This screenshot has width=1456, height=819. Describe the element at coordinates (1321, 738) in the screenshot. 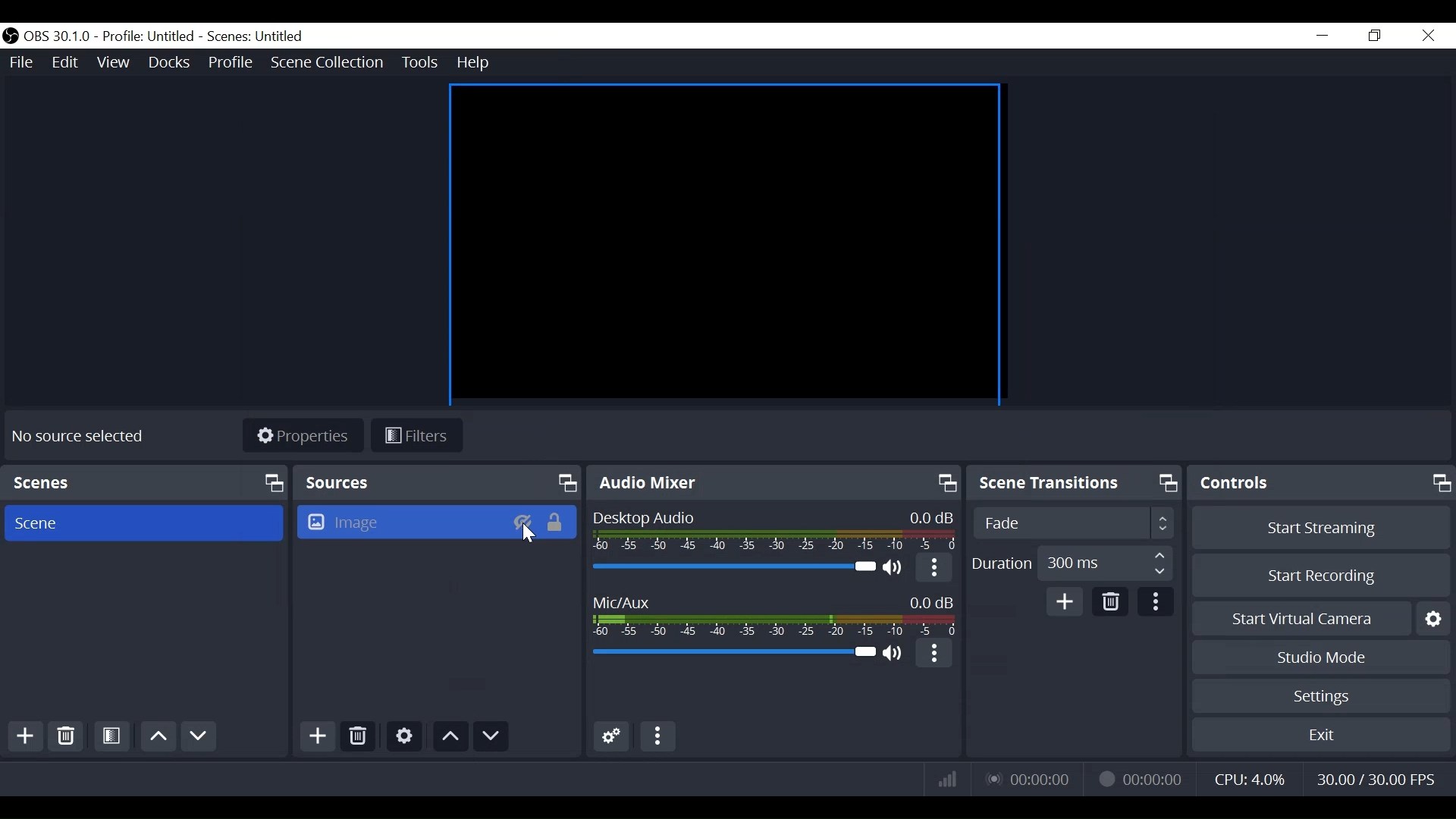

I see `Exit` at that location.